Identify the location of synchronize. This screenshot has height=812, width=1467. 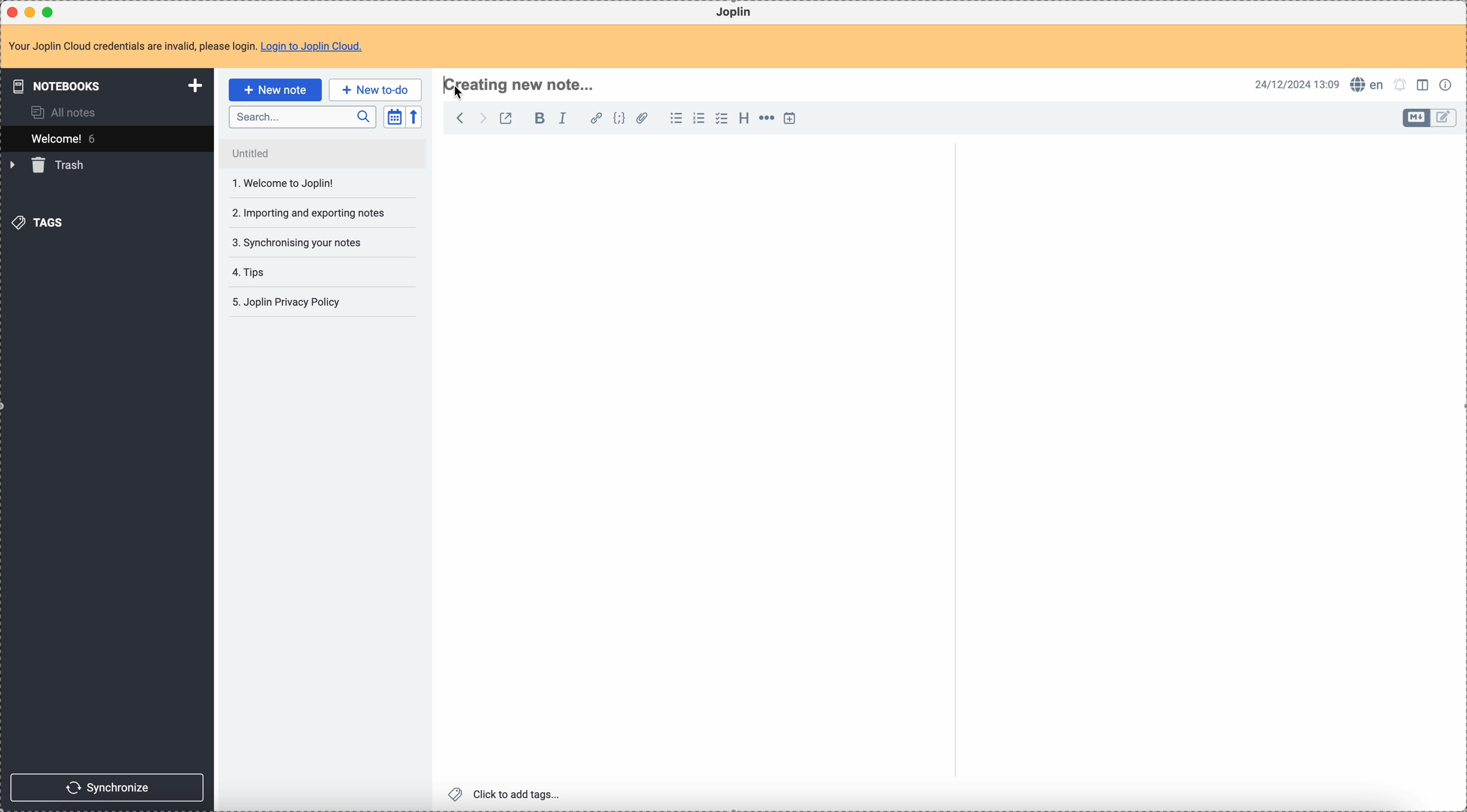
(108, 788).